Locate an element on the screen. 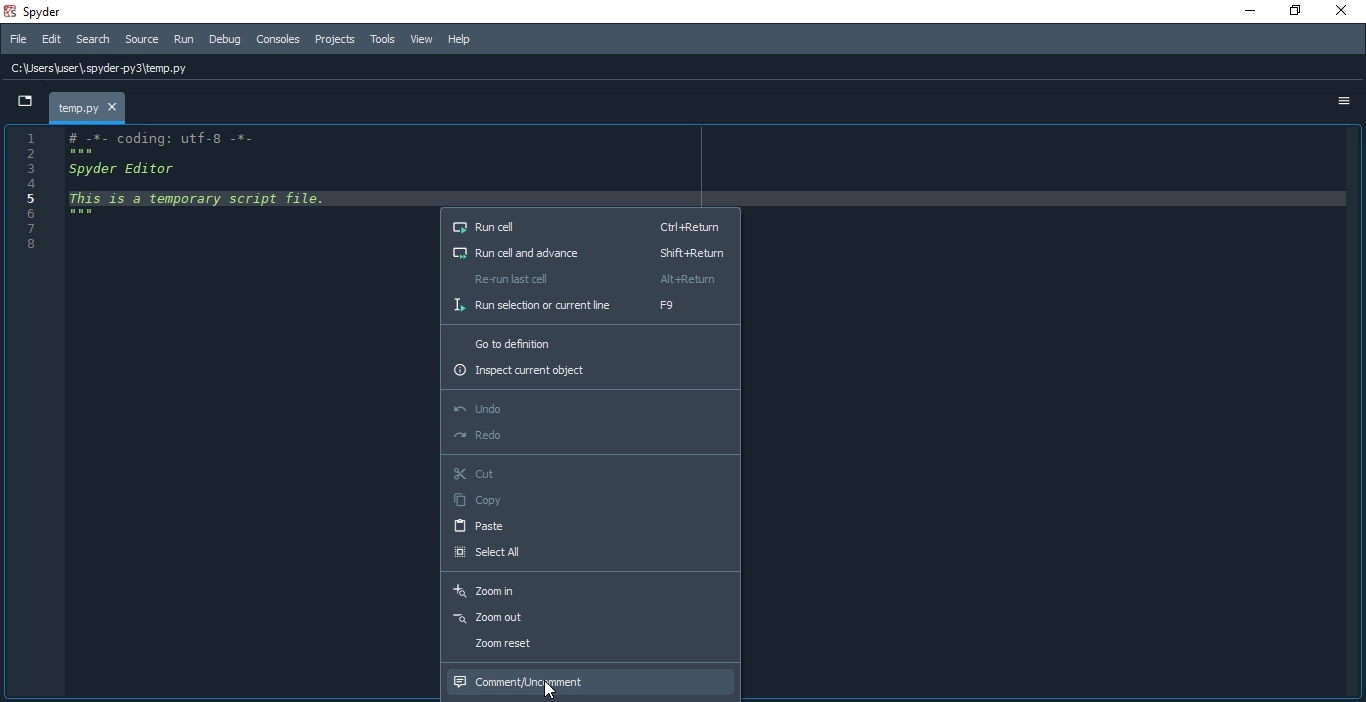 The height and width of the screenshot is (702, 1366). Go to definition is located at coordinates (591, 342).